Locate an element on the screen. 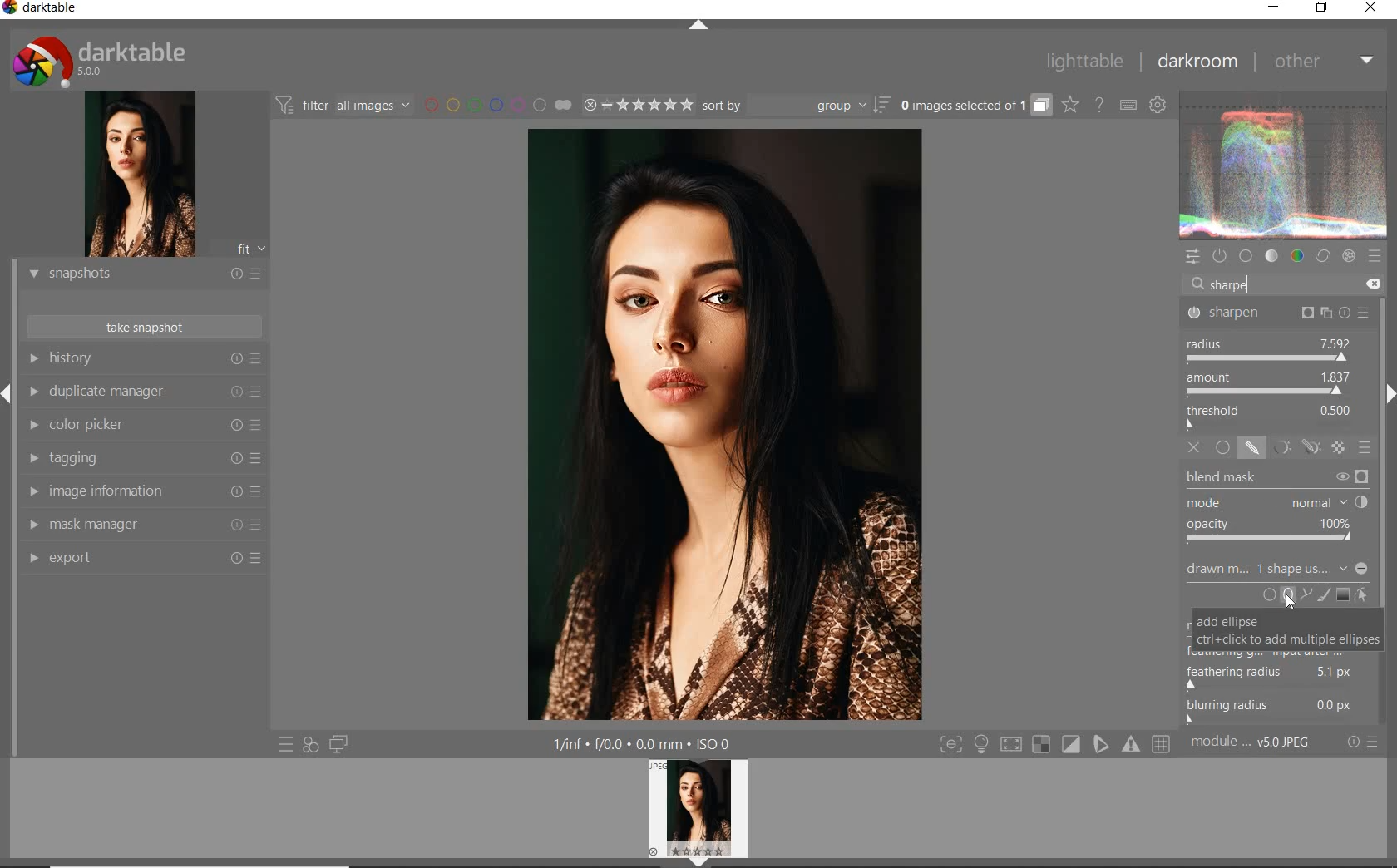  CLOSE is located at coordinates (1373, 8).